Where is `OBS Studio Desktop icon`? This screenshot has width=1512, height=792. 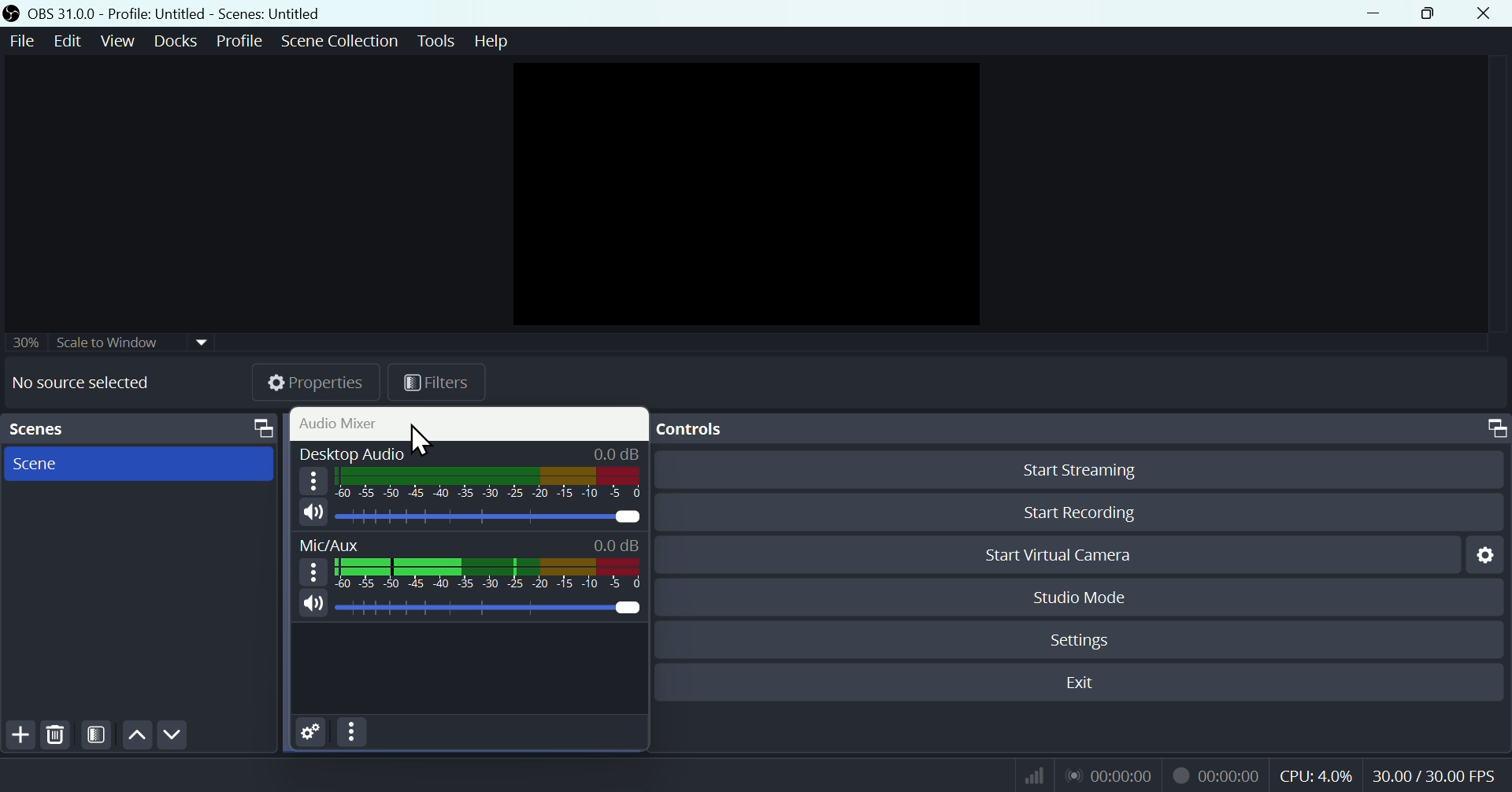
OBS Studio Desktop icon is located at coordinates (10, 13).